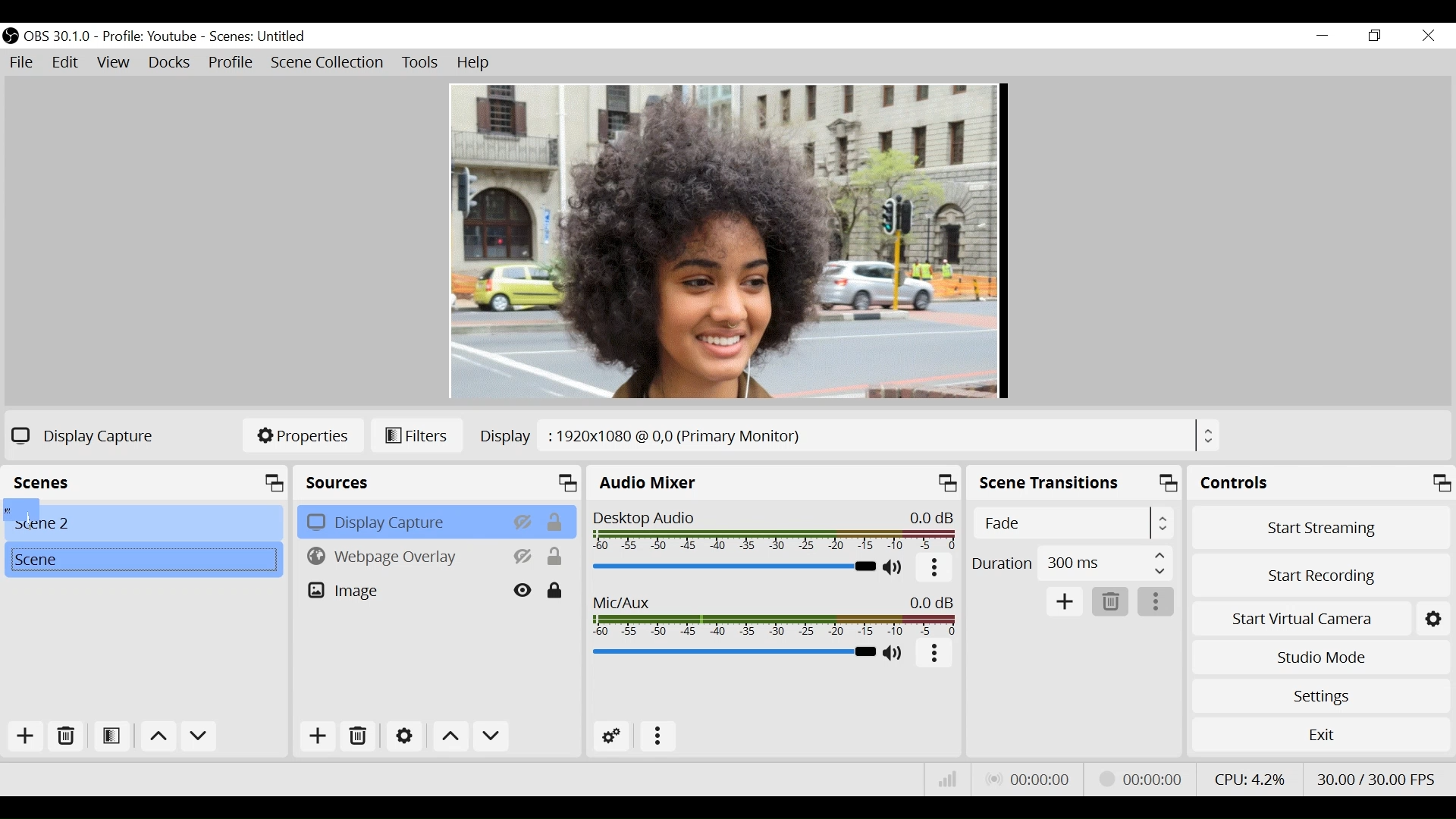 The image size is (1456, 819). I want to click on File, so click(24, 63).